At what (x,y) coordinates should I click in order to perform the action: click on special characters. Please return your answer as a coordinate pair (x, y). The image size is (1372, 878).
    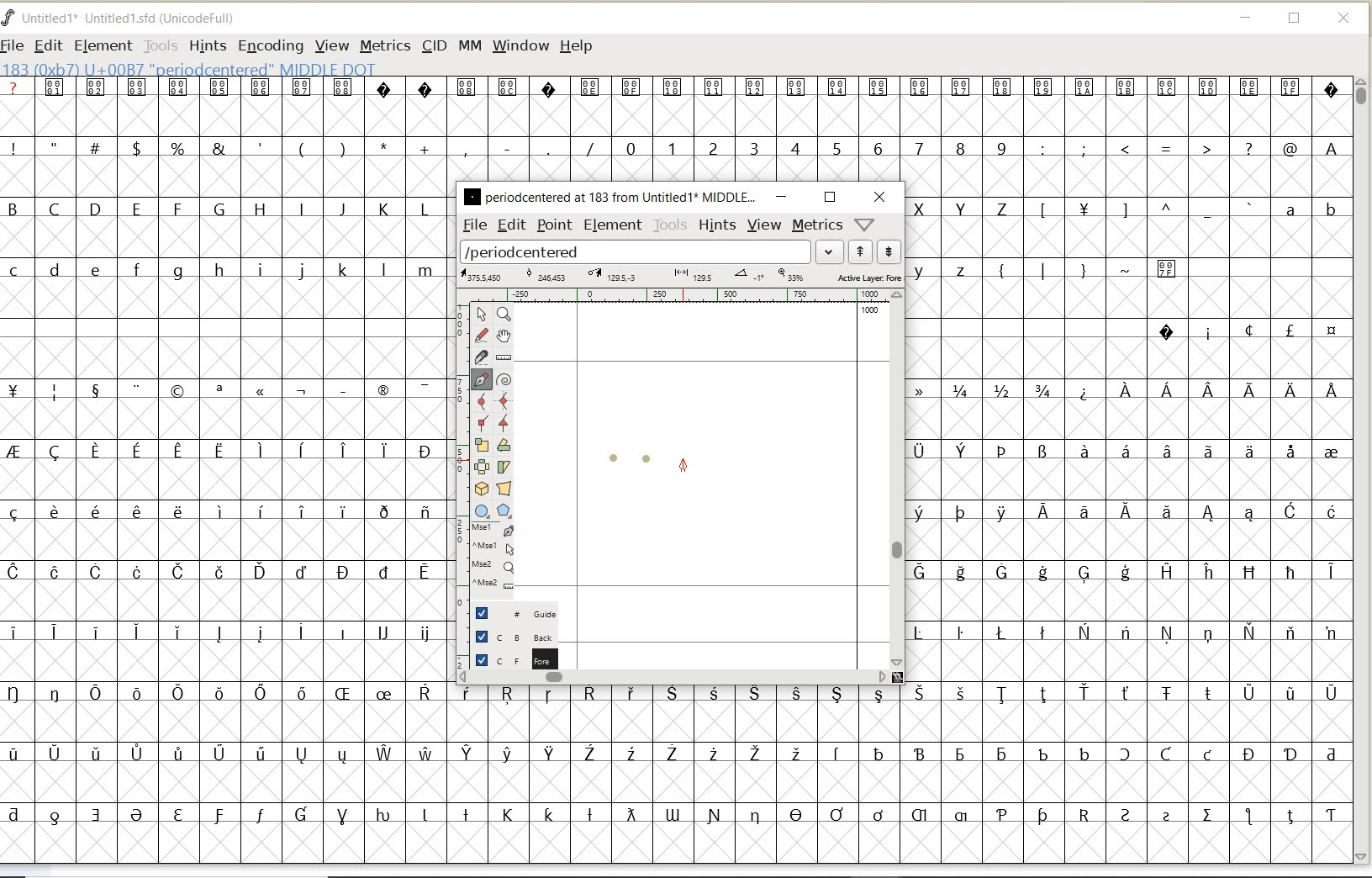
    Looking at the image, I should click on (1131, 526).